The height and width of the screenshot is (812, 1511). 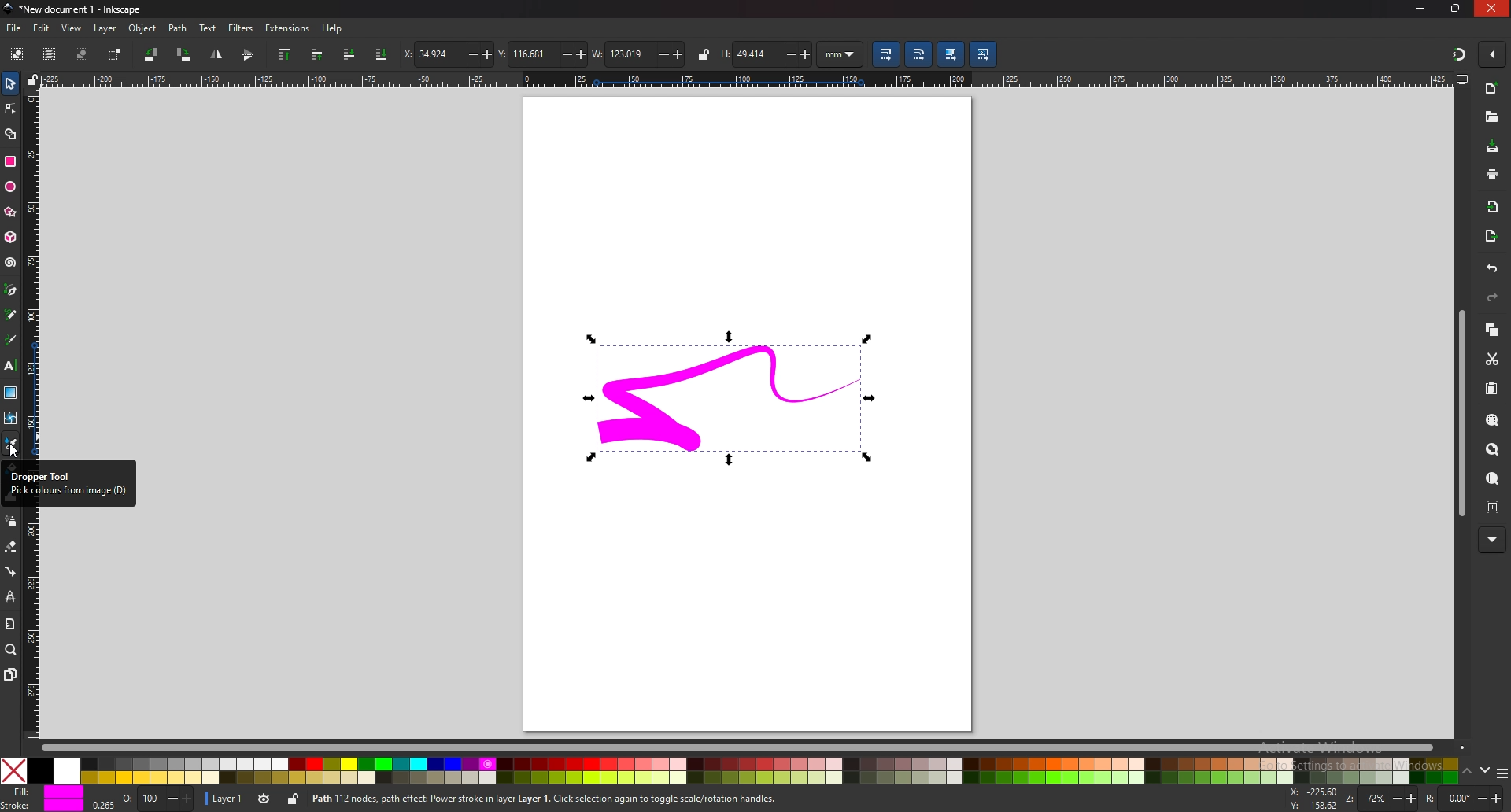 What do you see at coordinates (1493, 508) in the screenshot?
I see `zoom center page` at bounding box center [1493, 508].